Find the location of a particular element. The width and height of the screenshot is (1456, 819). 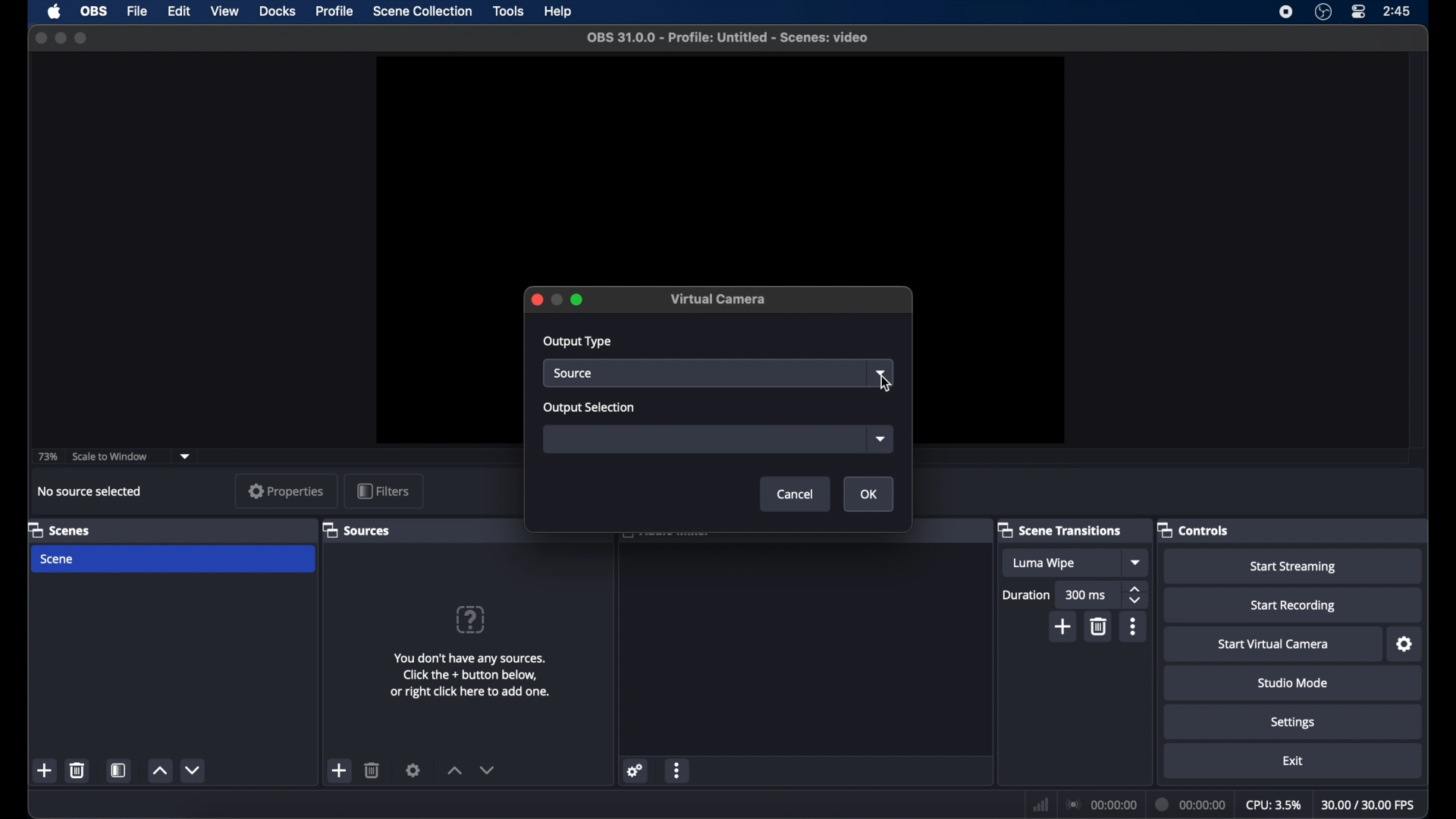

dropdown is located at coordinates (882, 373).